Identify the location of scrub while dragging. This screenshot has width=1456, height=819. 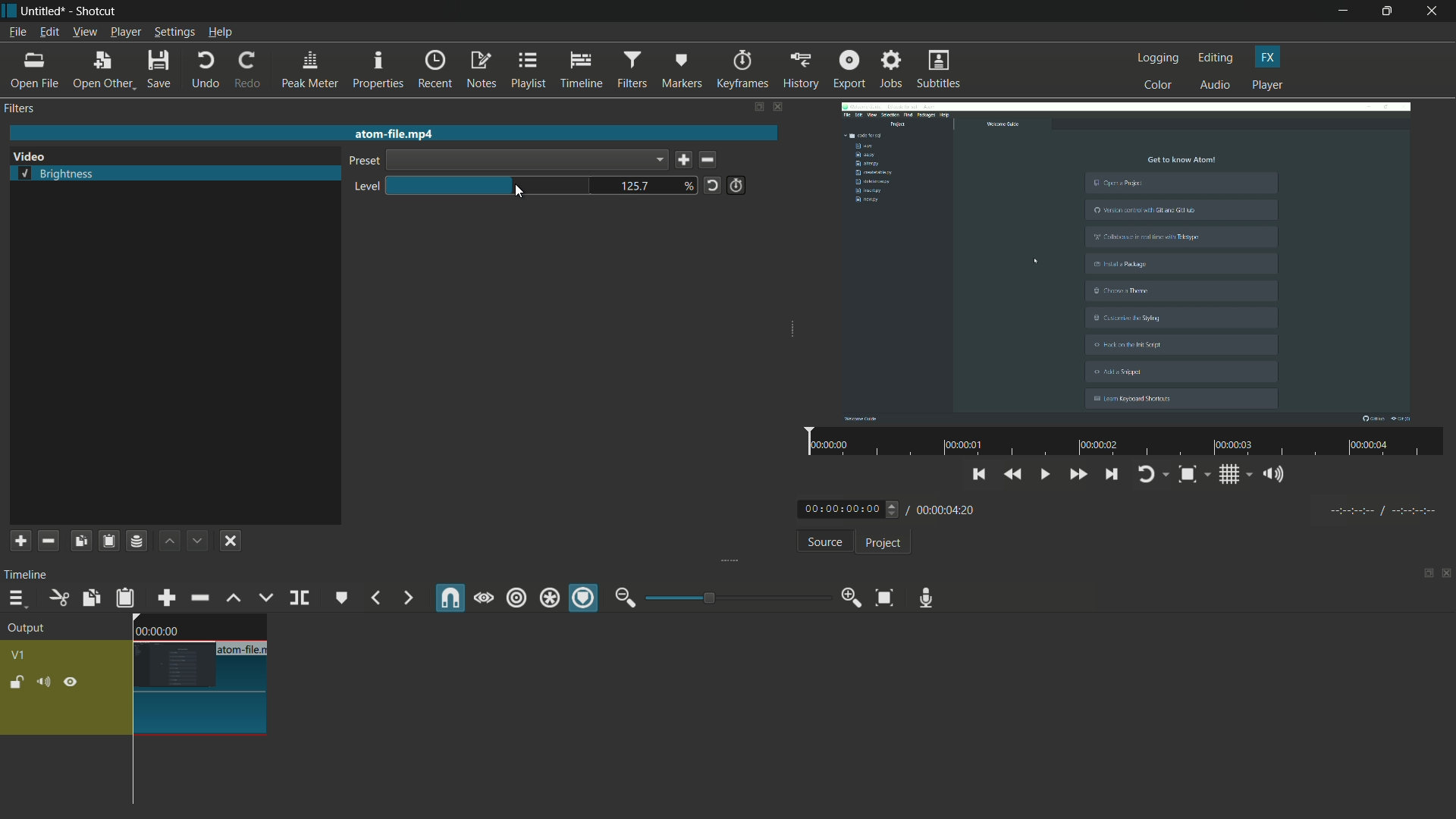
(483, 598).